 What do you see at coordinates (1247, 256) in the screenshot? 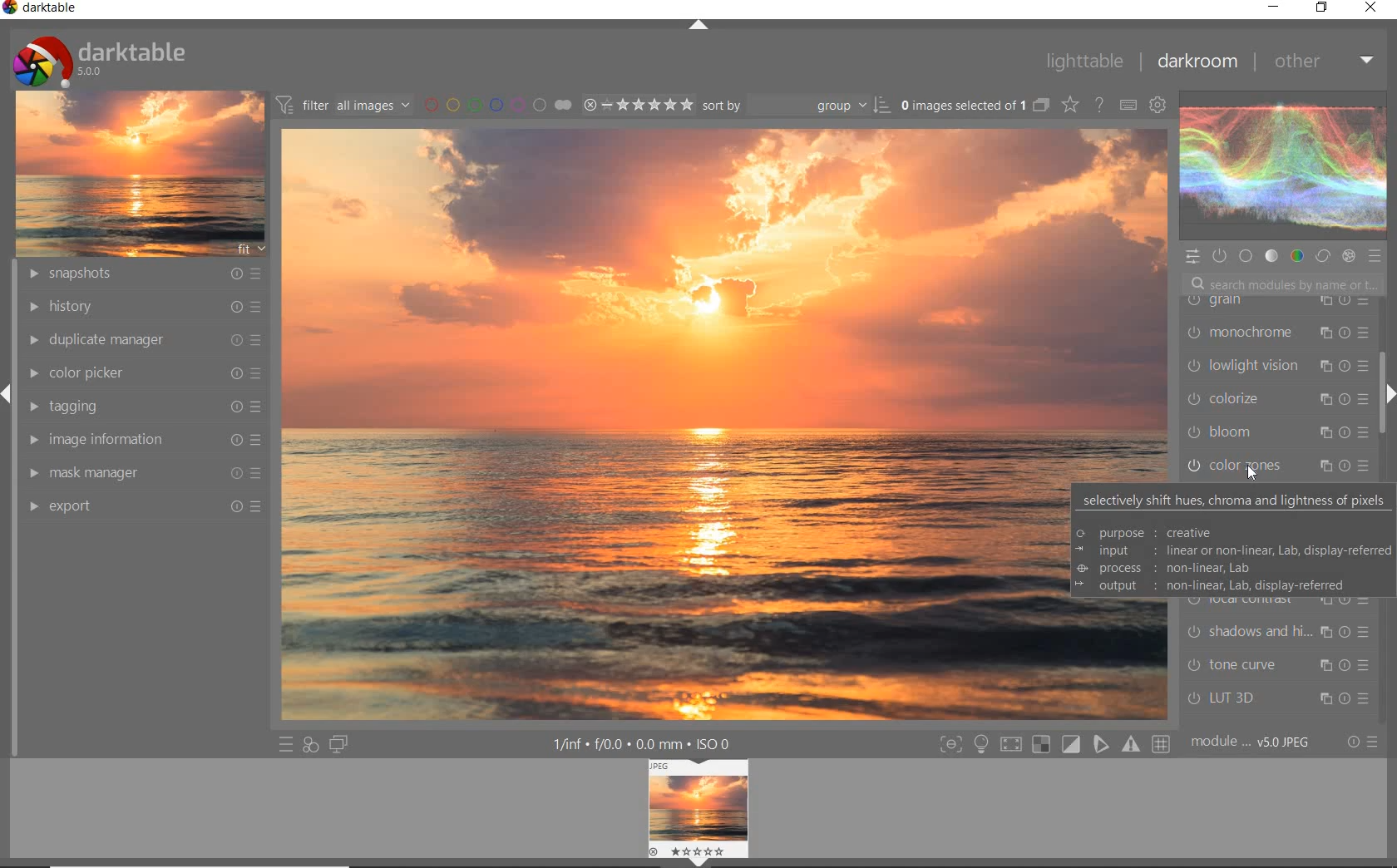
I see `BASE` at bounding box center [1247, 256].